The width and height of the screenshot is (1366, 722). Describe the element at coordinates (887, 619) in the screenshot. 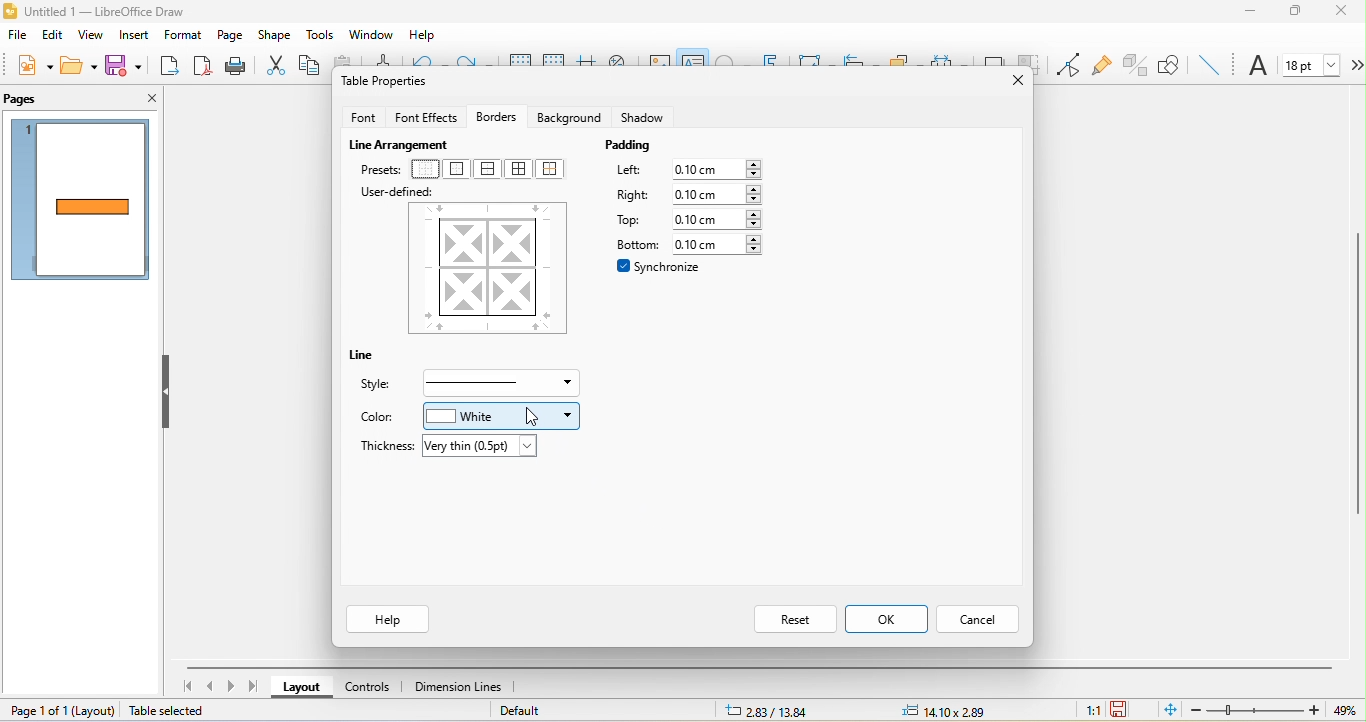

I see `ok` at that location.